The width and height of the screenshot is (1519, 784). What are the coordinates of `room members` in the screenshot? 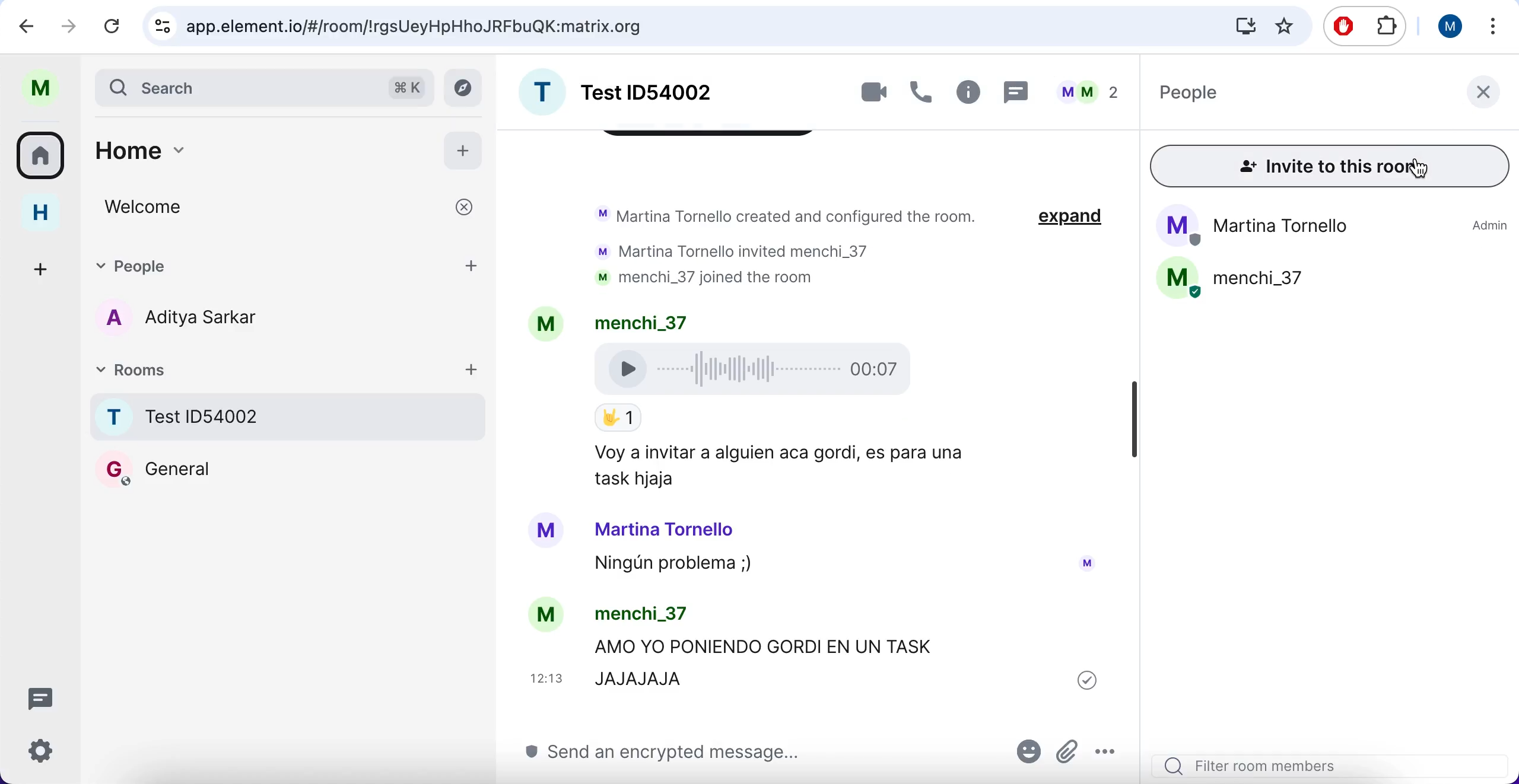 It's located at (1335, 259).